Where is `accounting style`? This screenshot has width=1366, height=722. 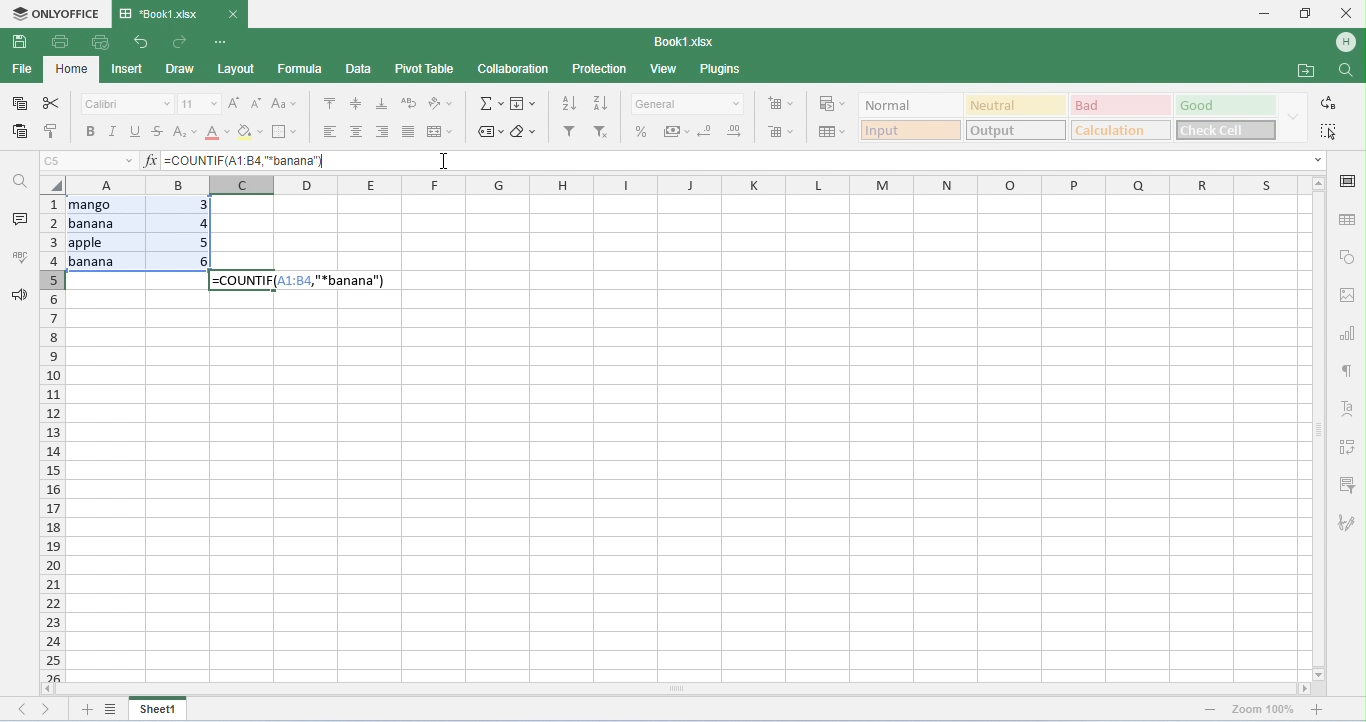 accounting style is located at coordinates (677, 133).